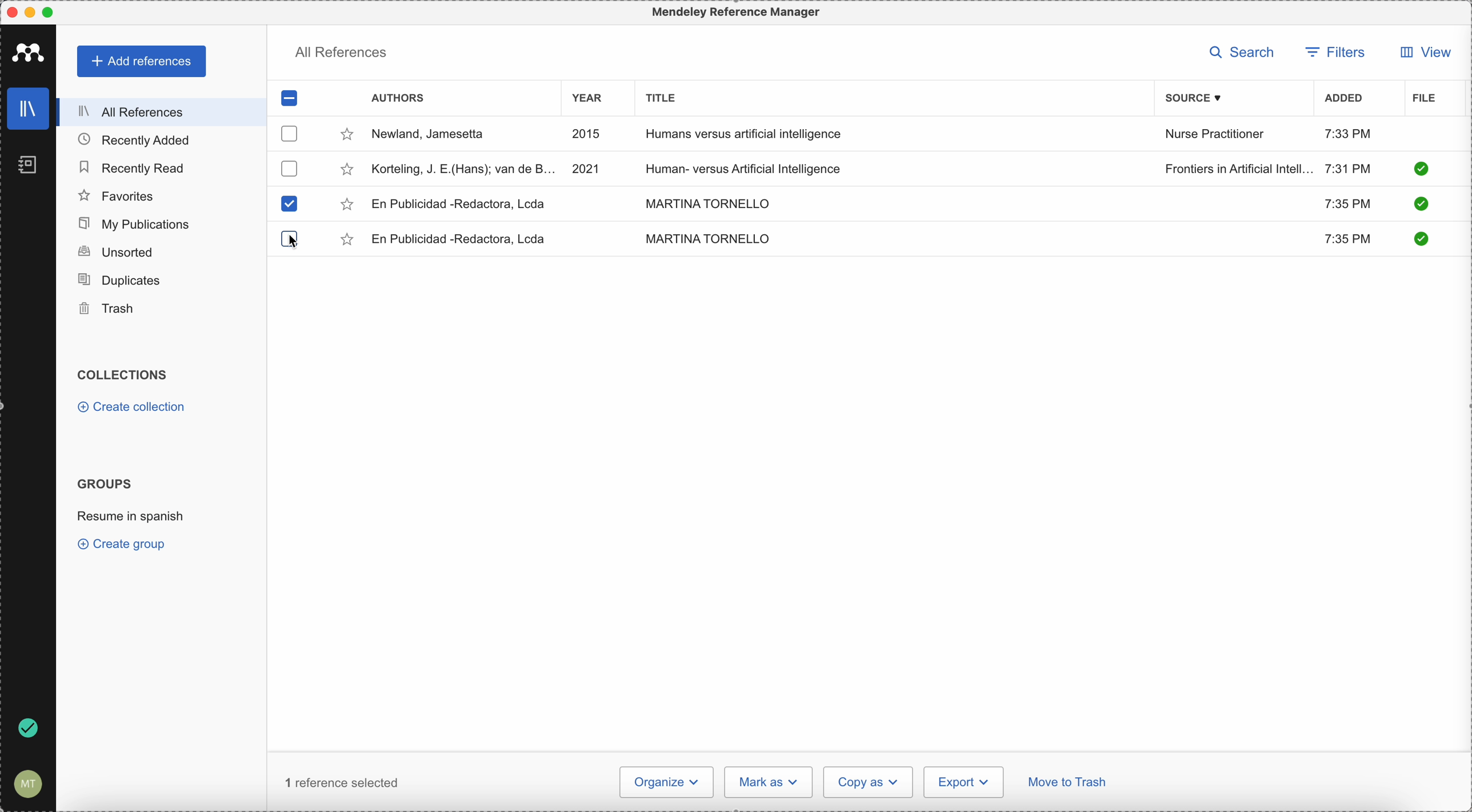  I want to click on create collection, so click(134, 409).